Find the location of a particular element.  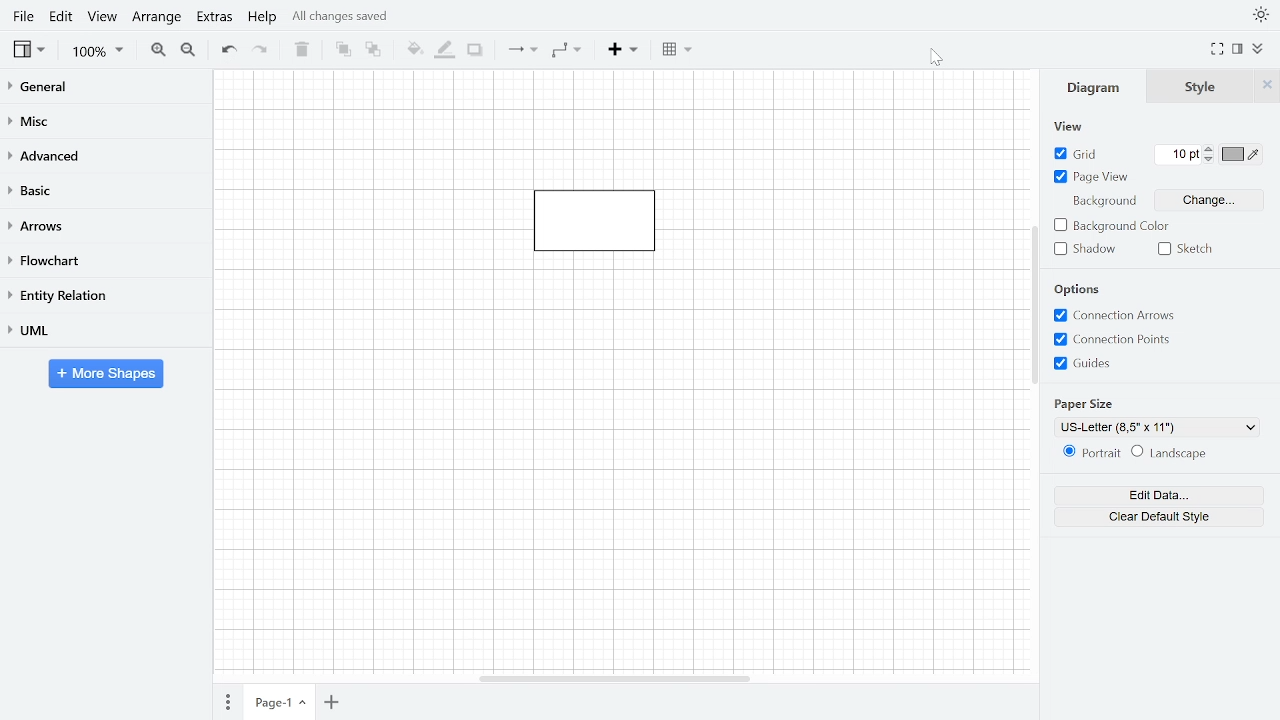

COnnection arrows is located at coordinates (1116, 317).